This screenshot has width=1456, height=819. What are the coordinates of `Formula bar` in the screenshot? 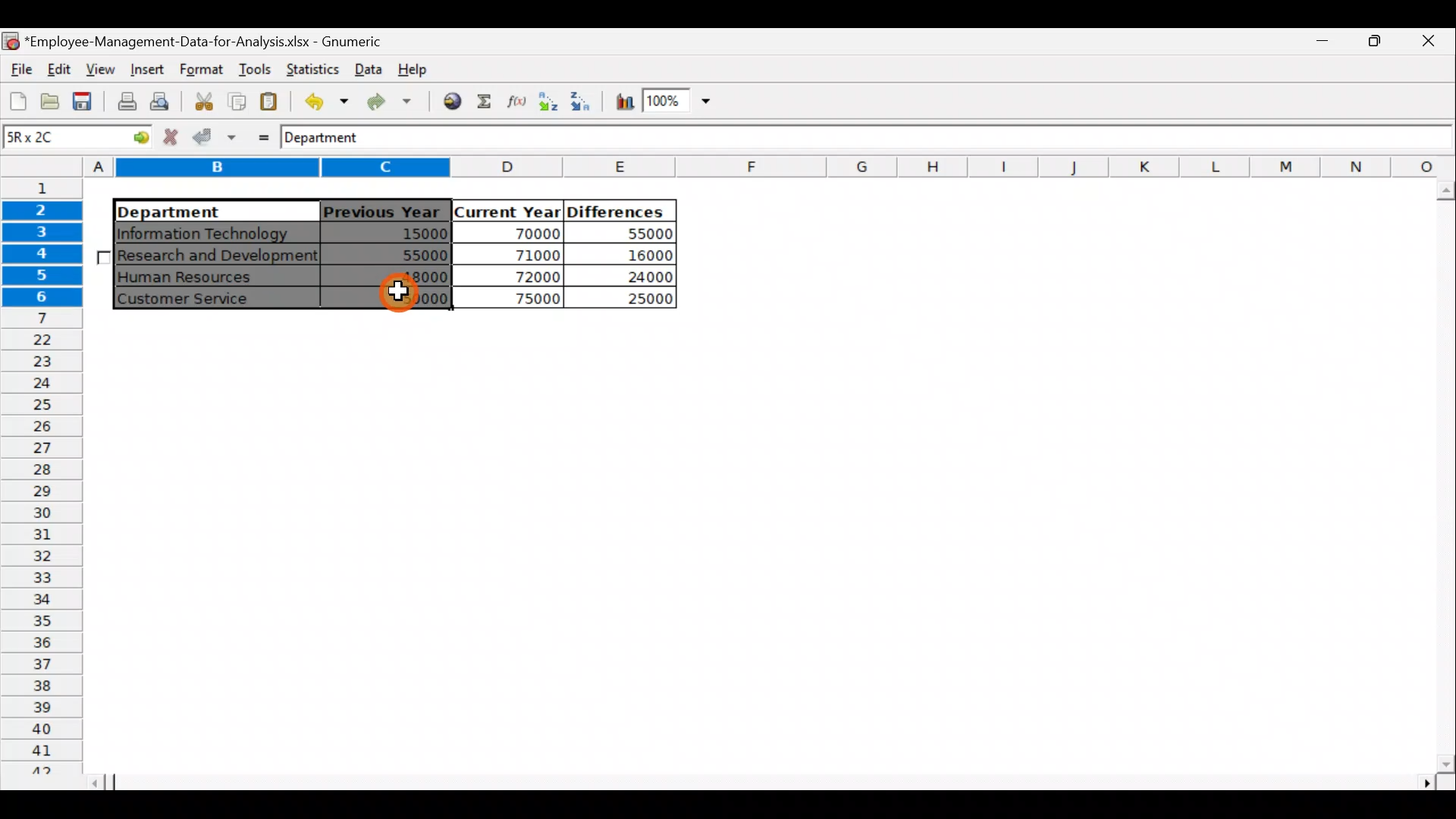 It's located at (926, 141).